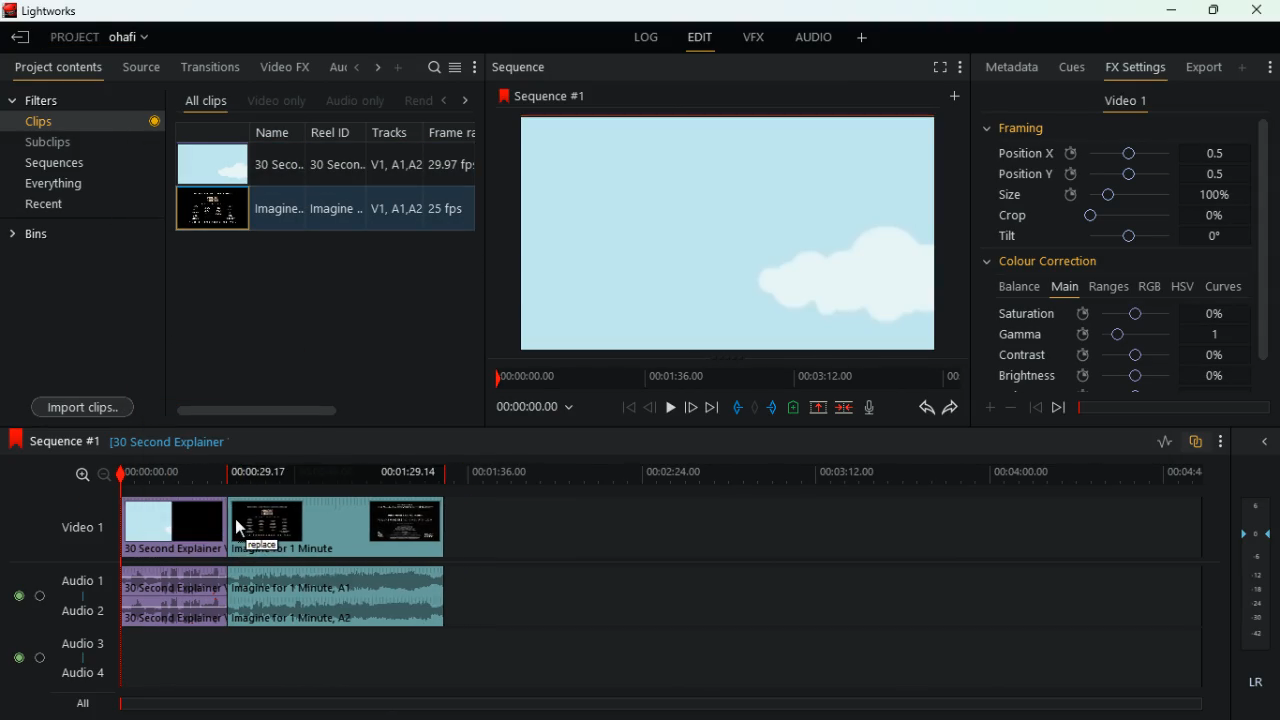 Image resolution: width=1280 pixels, height=720 pixels. I want to click on video only, so click(277, 100).